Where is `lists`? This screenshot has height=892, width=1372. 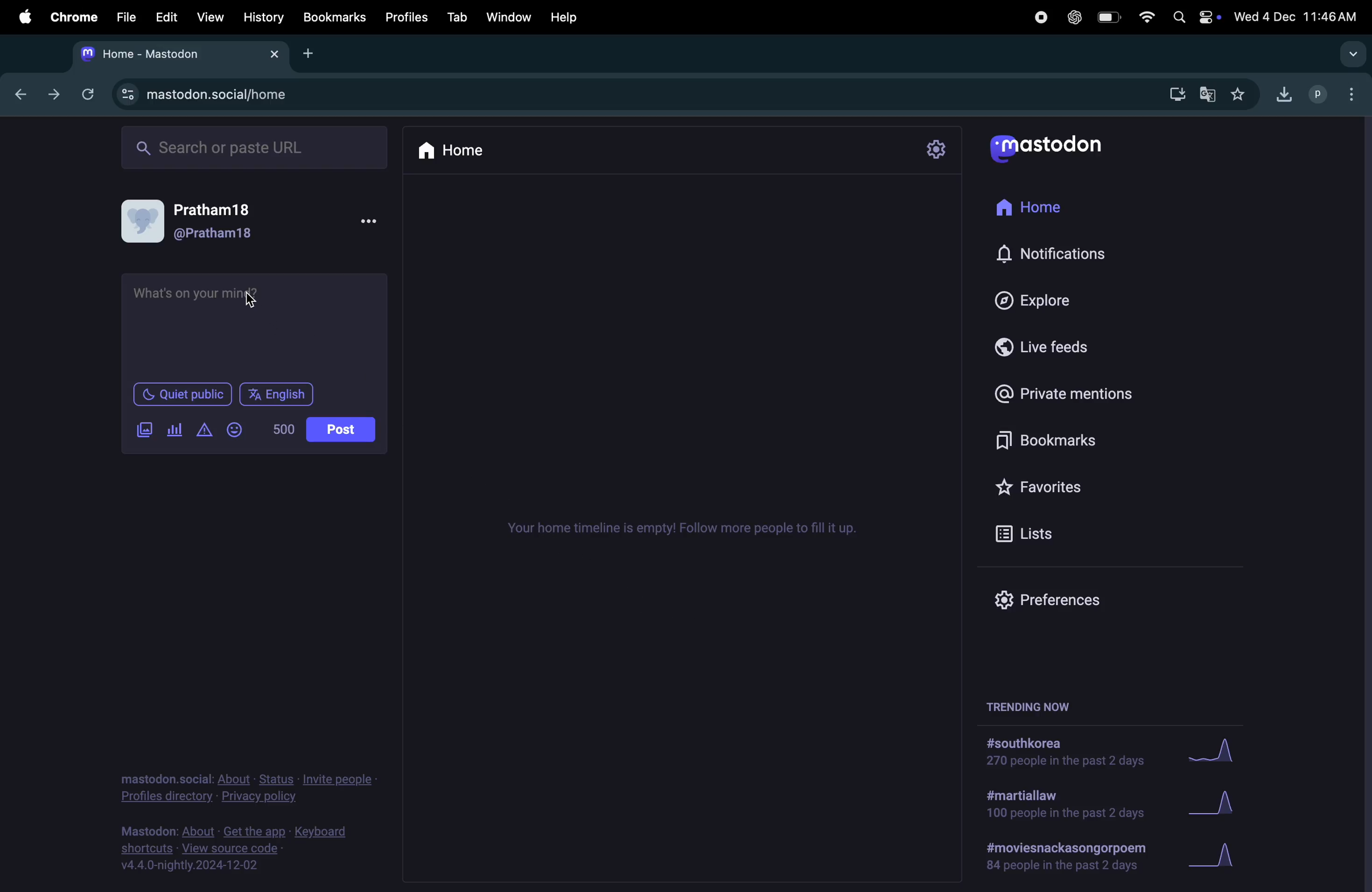 lists is located at coordinates (1030, 533).